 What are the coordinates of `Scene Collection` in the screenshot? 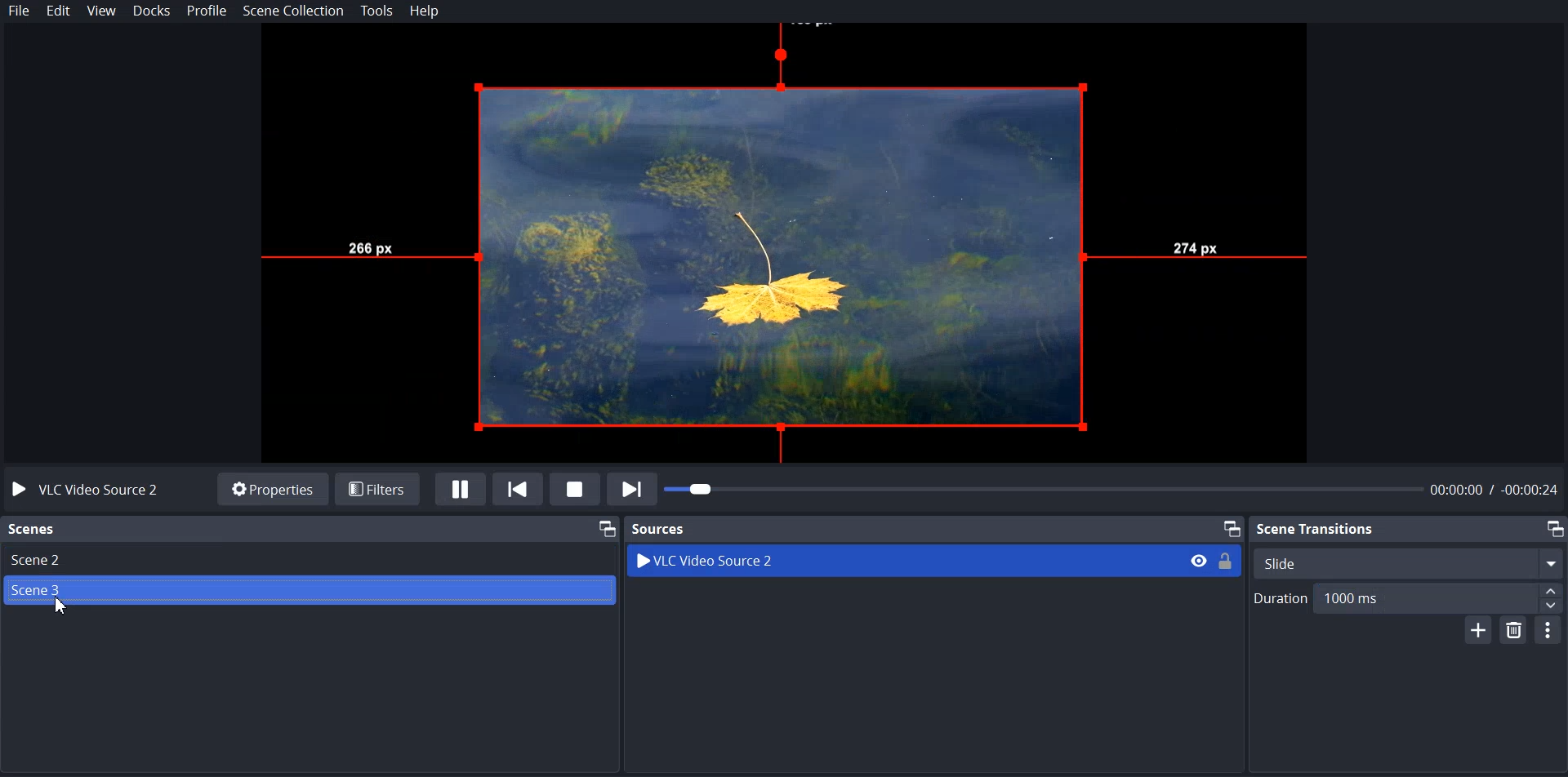 It's located at (294, 12).